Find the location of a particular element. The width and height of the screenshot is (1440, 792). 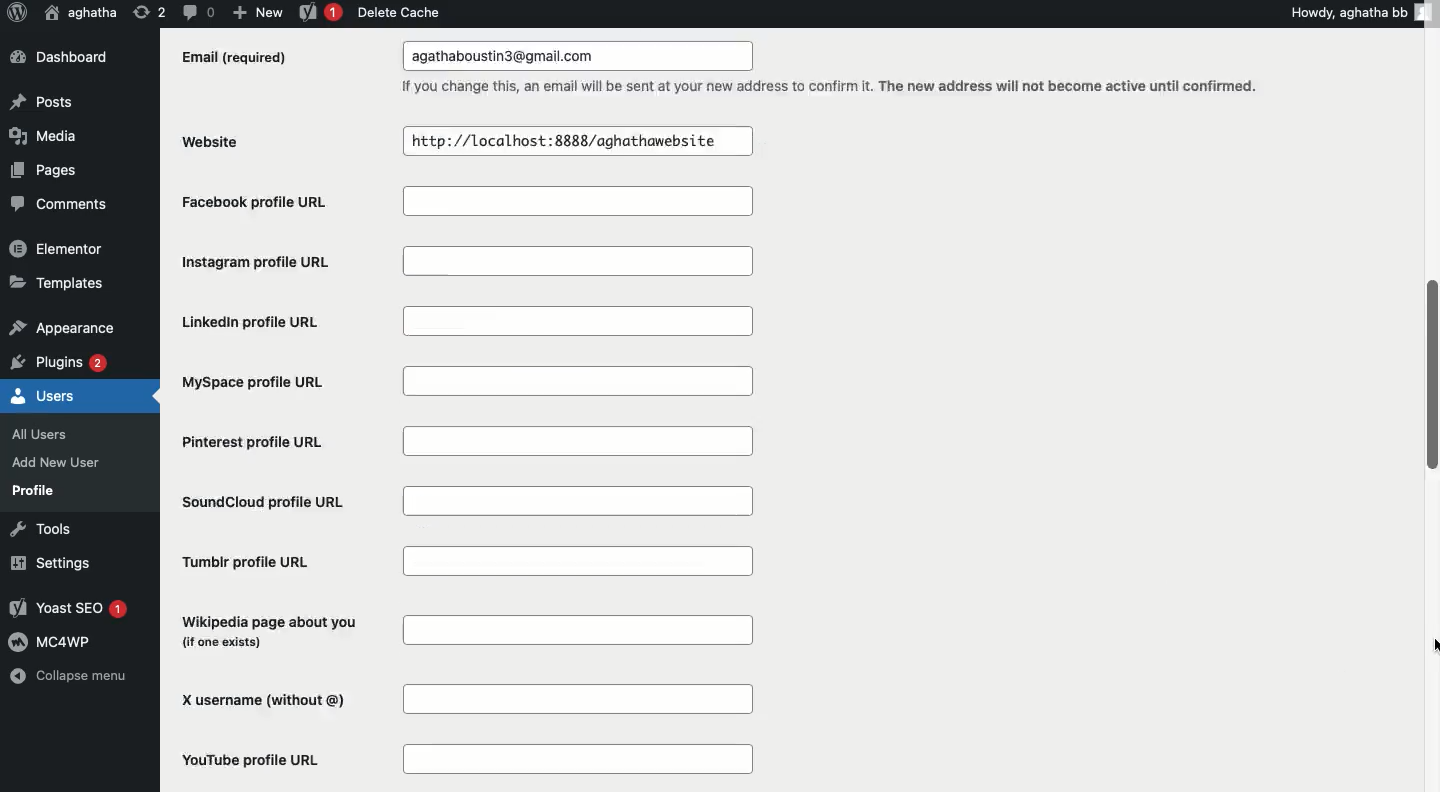

Collapse menu is located at coordinates (68, 678).